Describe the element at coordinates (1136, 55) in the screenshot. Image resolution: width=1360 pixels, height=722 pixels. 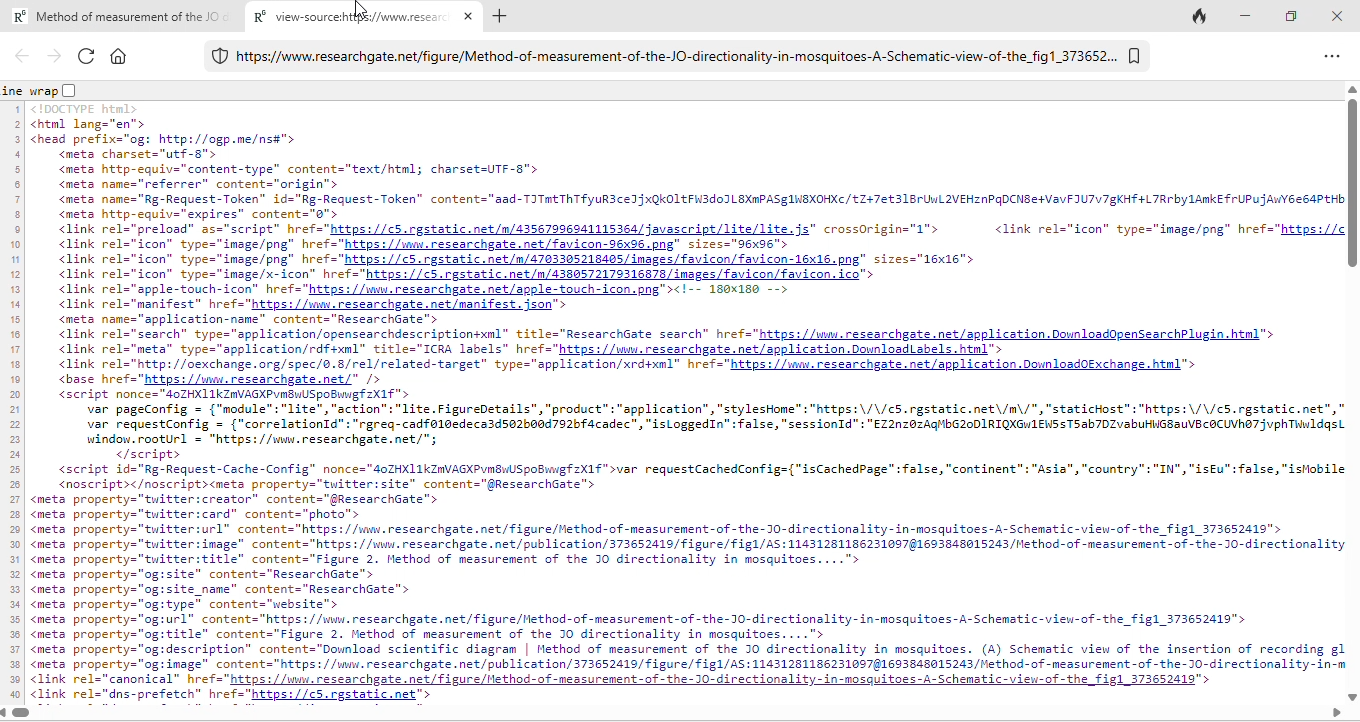
I see `bookmark tab` at that location.